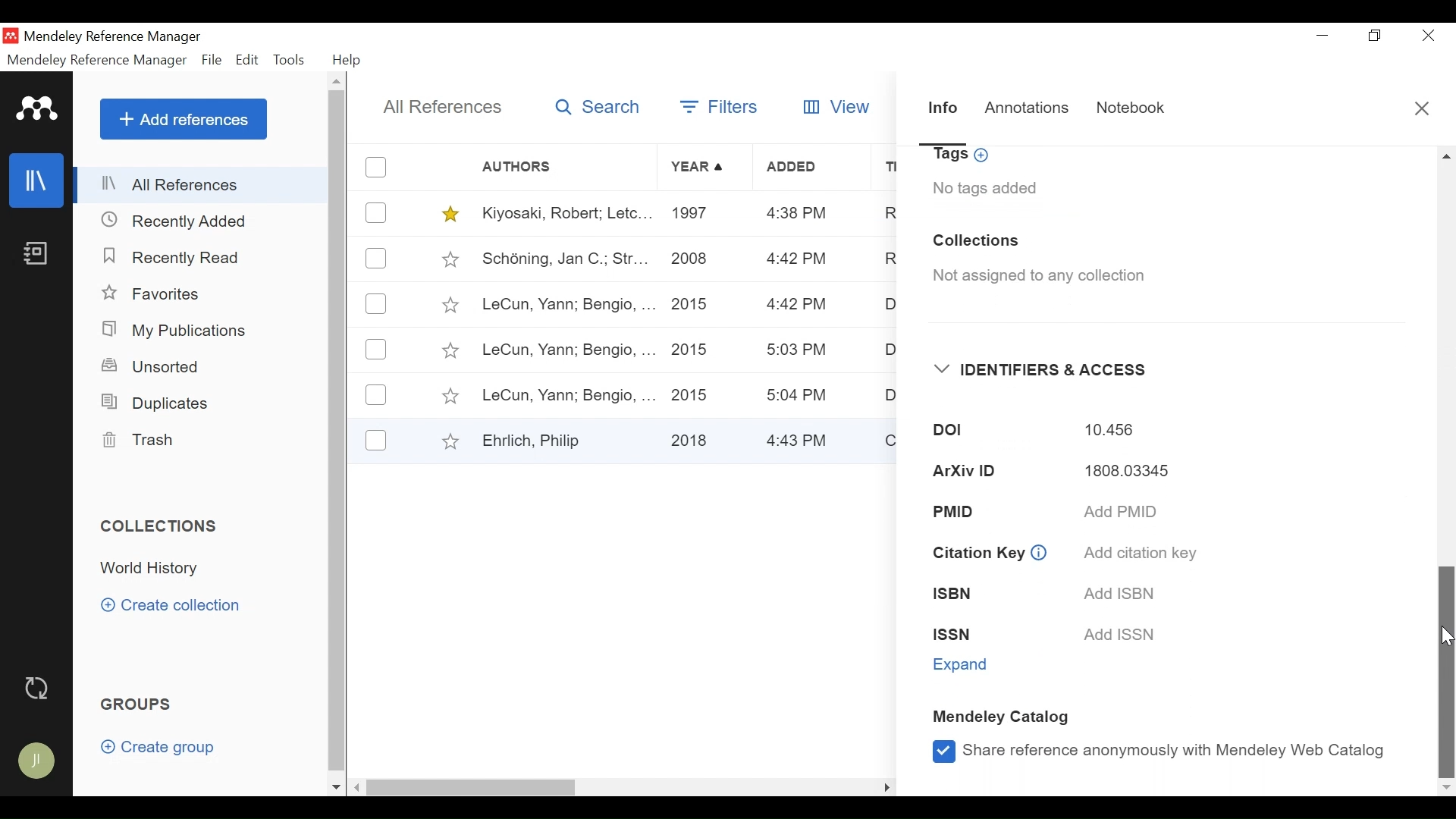 This screenshot has height=819, width=1456. What do you see at coordinates (183, 119) in the screenshot?
I see `Add References` at bounding box center [183, 119].